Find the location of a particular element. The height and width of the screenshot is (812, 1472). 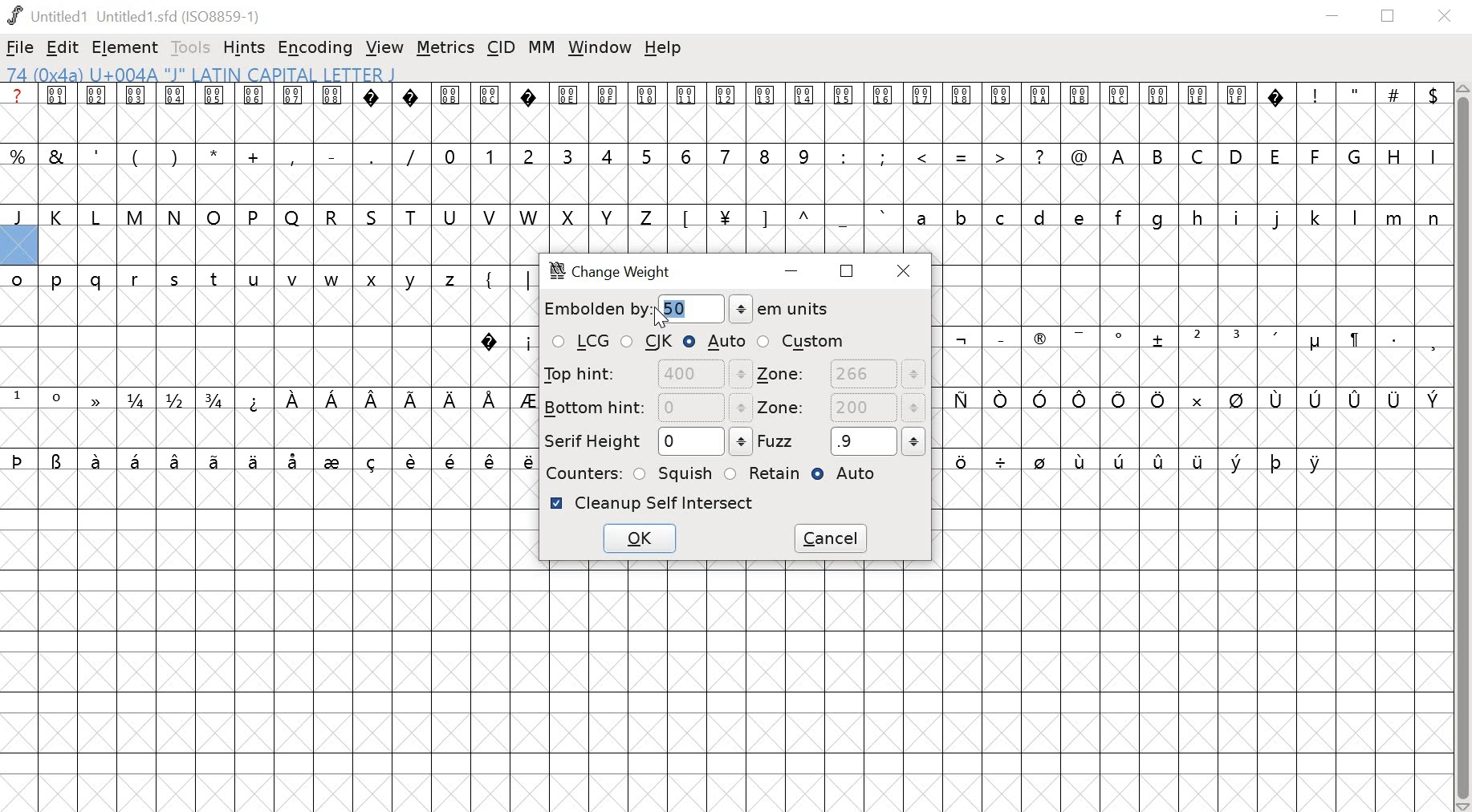

close is located at coordinates (1447, 17).